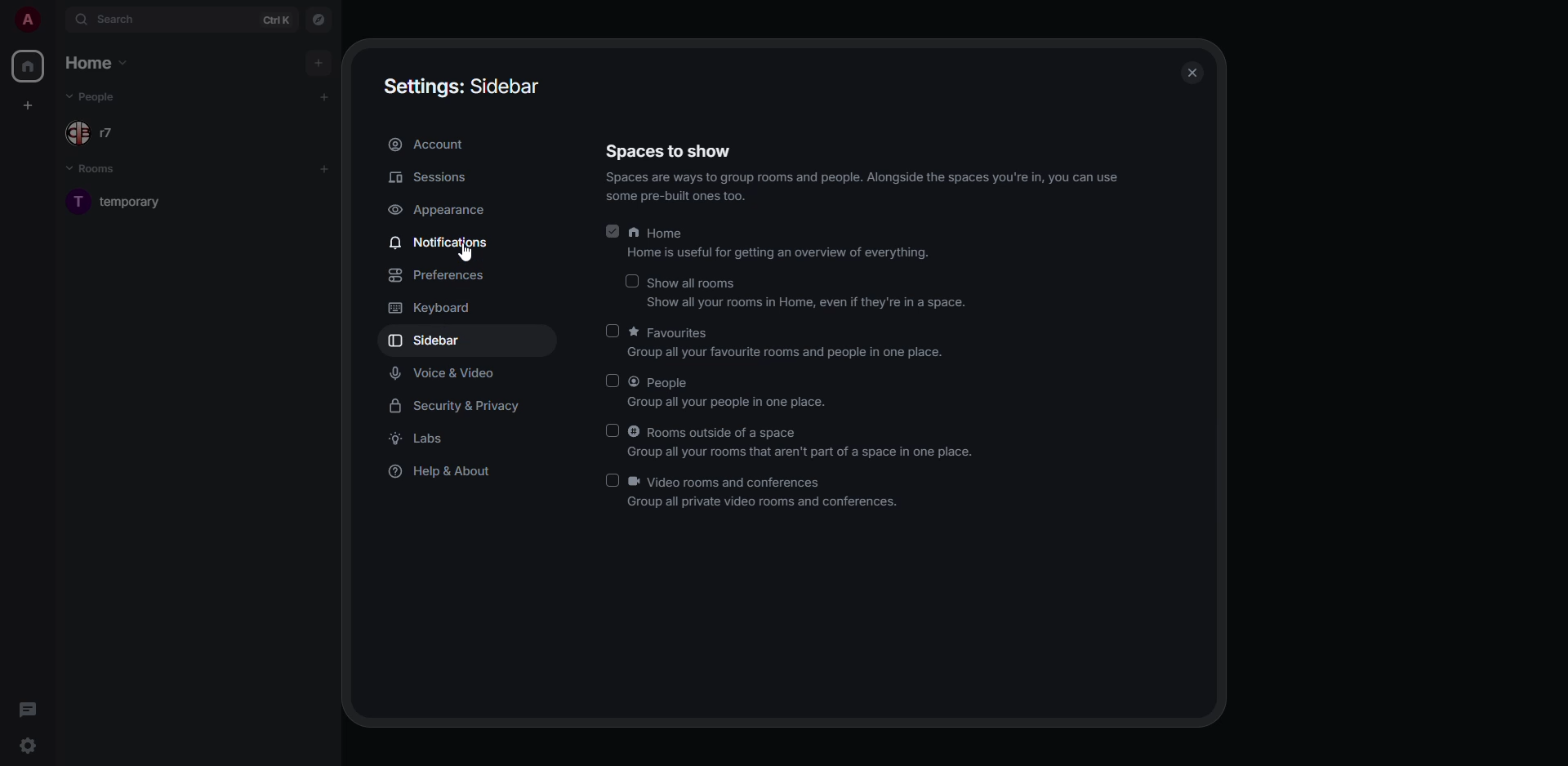 This screenshot has width=1568, height=766. What do you see at coordinates (863, 186) in the screenshot?
I see `info` at bounding box center [863, 186].